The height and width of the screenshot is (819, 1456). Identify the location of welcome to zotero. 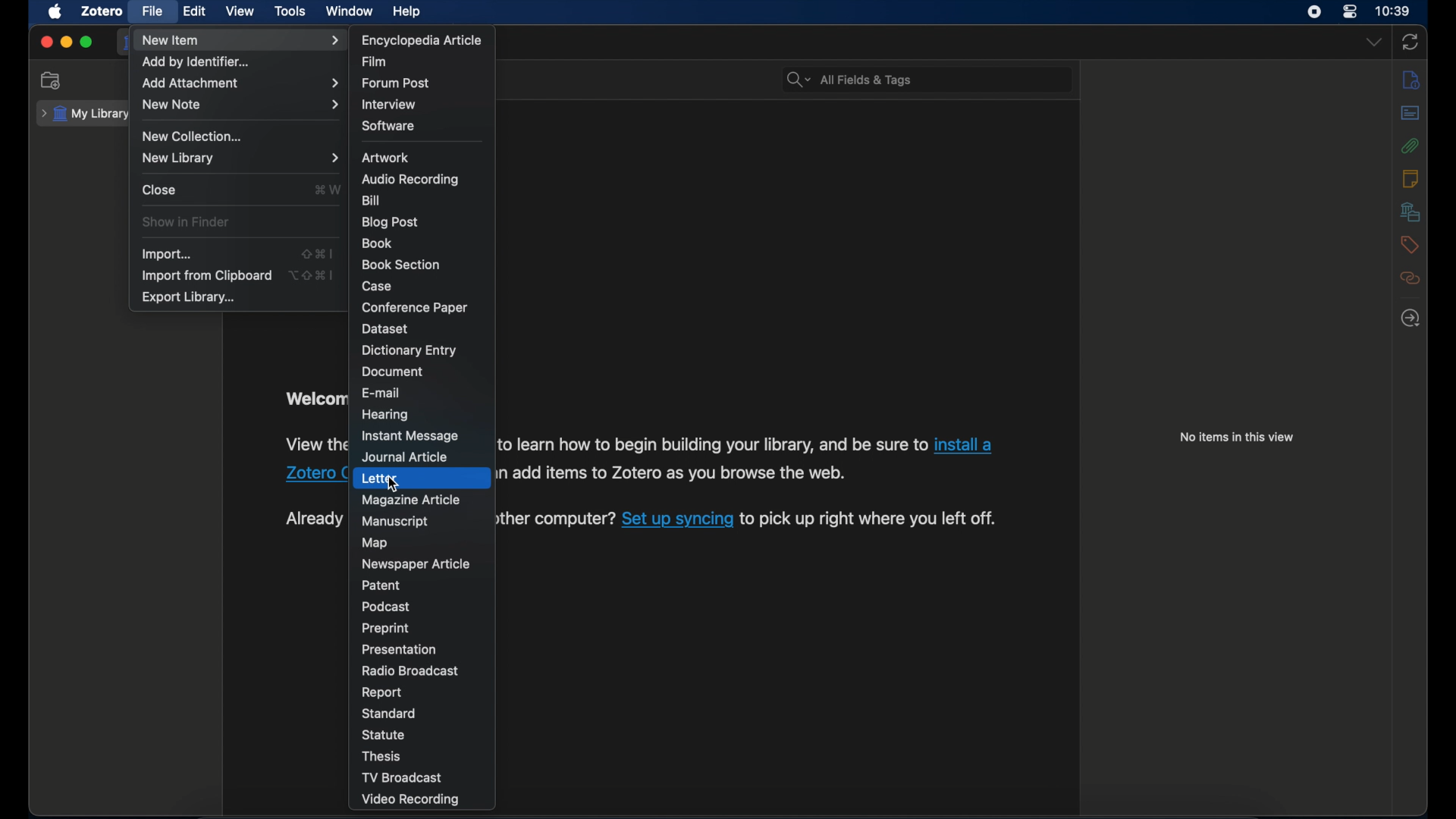
(313, 400).